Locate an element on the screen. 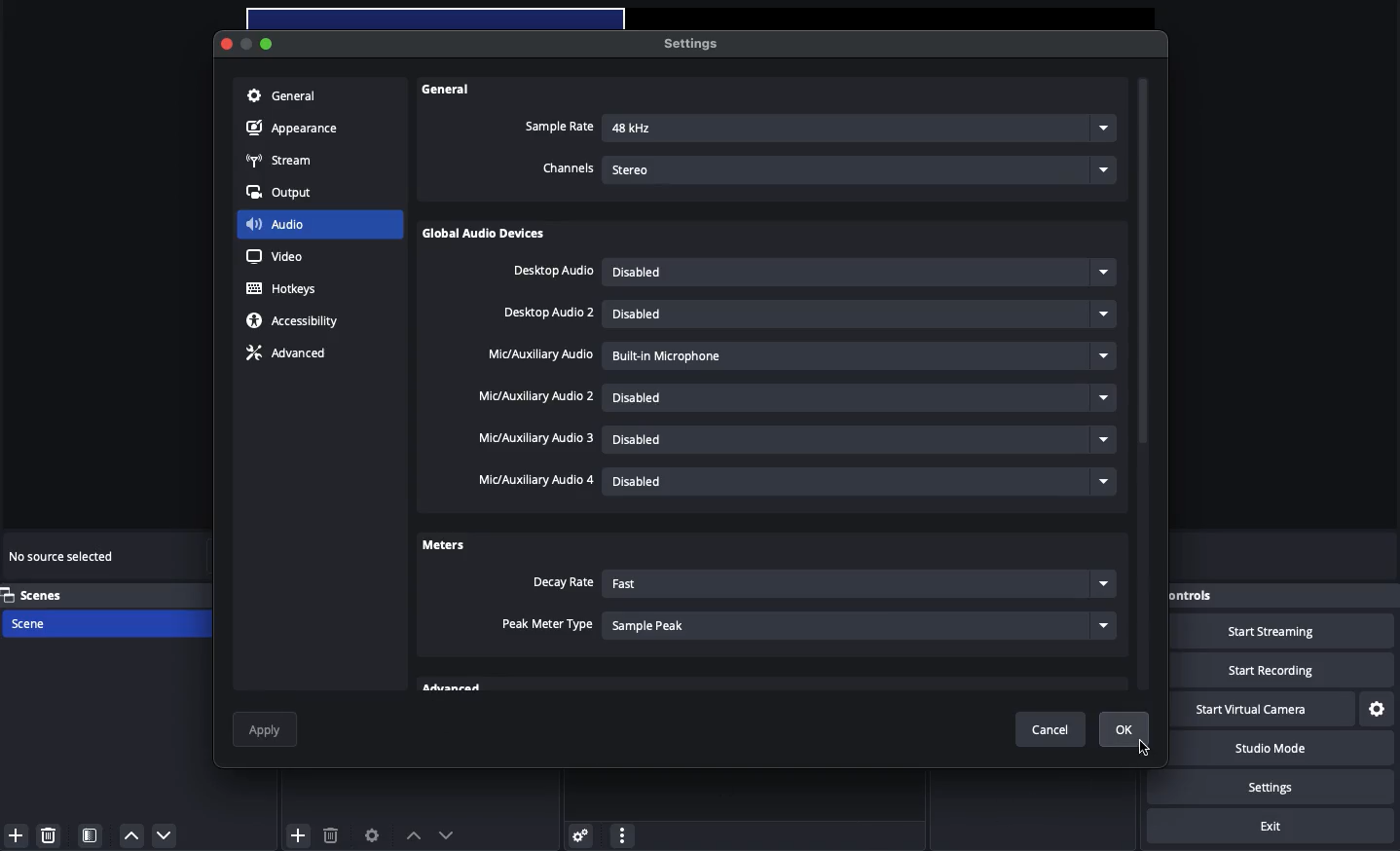 The image size is (1400, 851). Mic auxiliary audio is located at coordinates (539, 355).